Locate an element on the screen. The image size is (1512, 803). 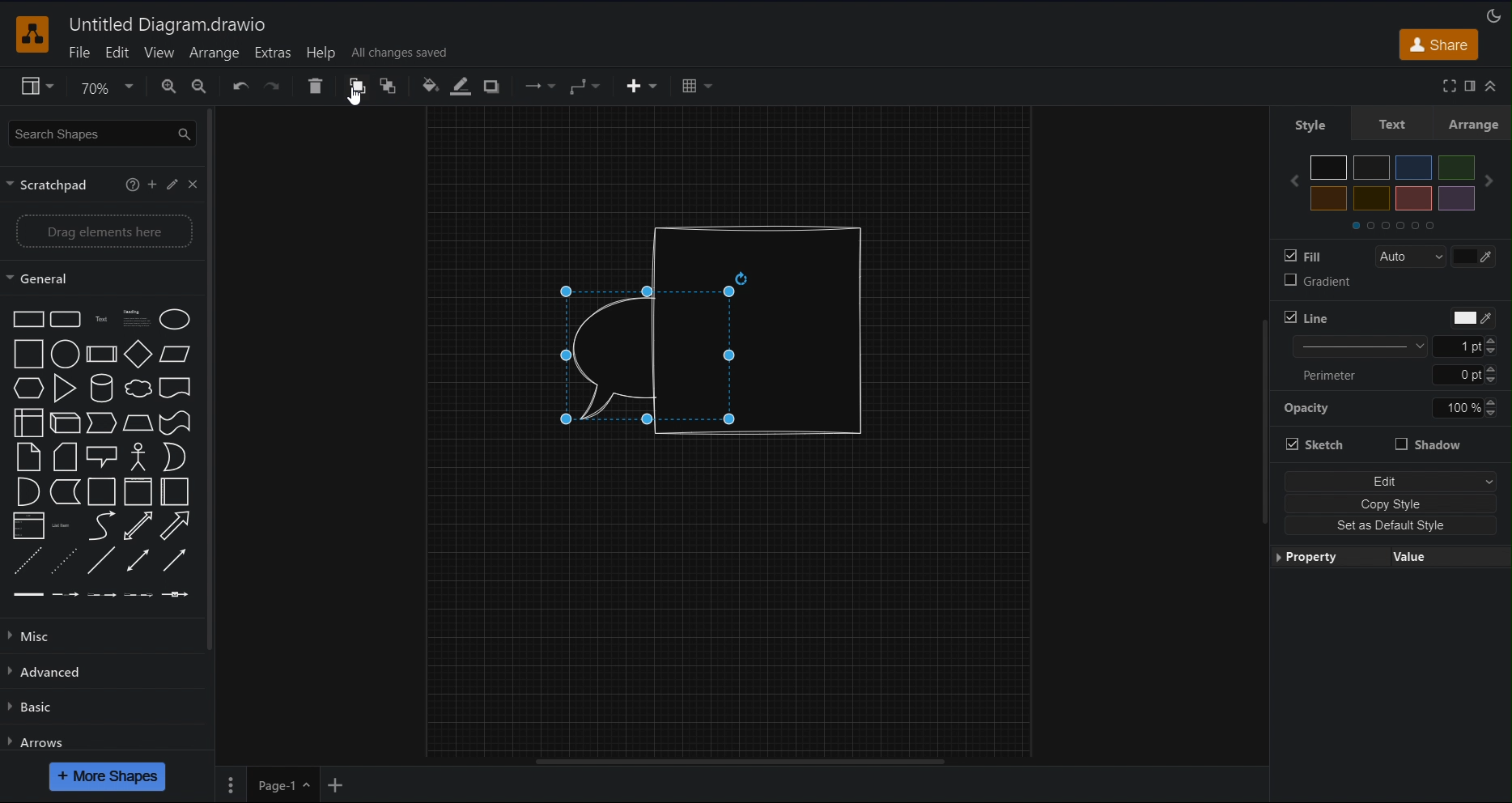
Link is located at coordinates (28, 595).